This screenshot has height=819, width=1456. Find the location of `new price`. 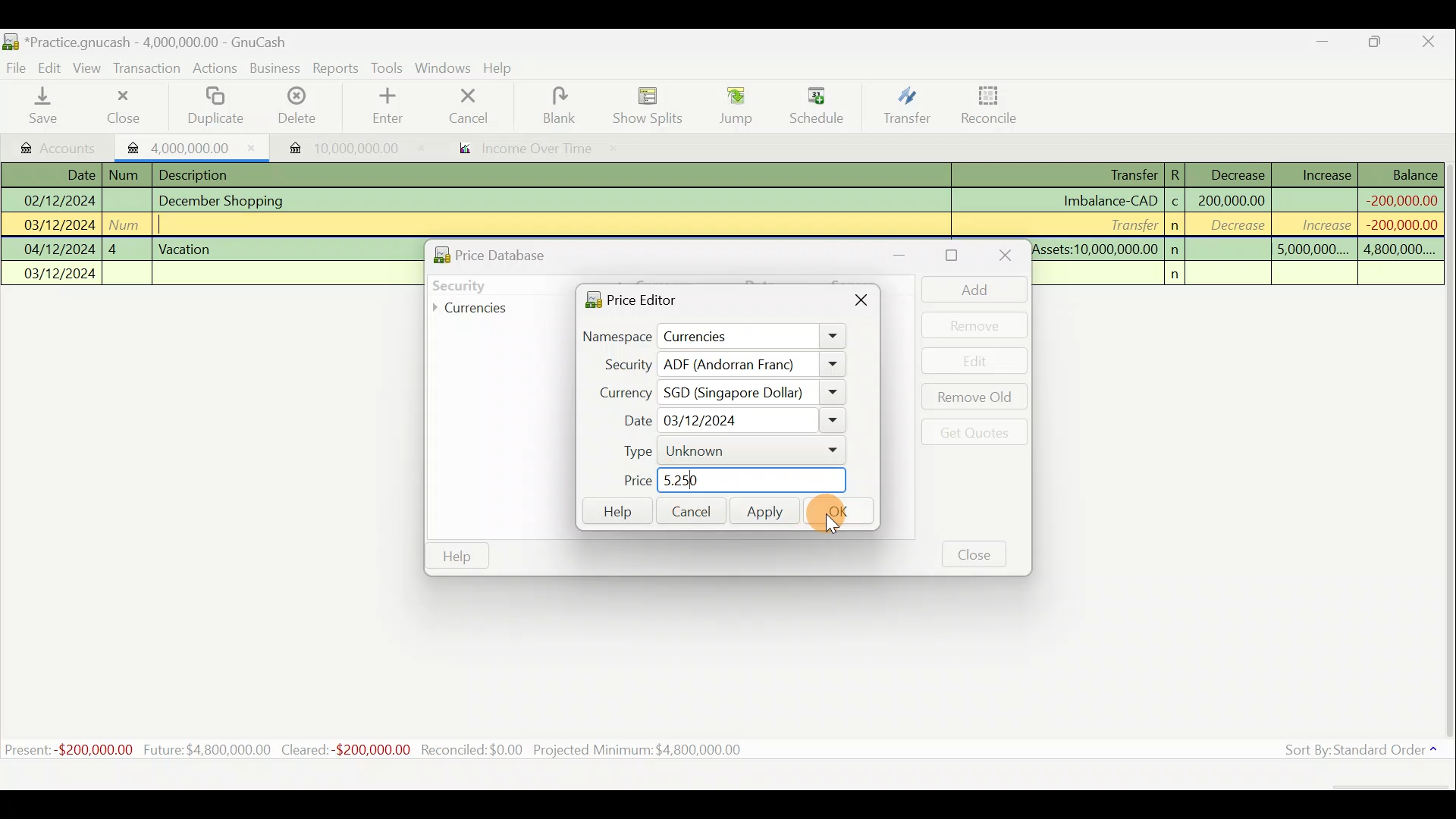

new price is located at coordinates (689, 481).